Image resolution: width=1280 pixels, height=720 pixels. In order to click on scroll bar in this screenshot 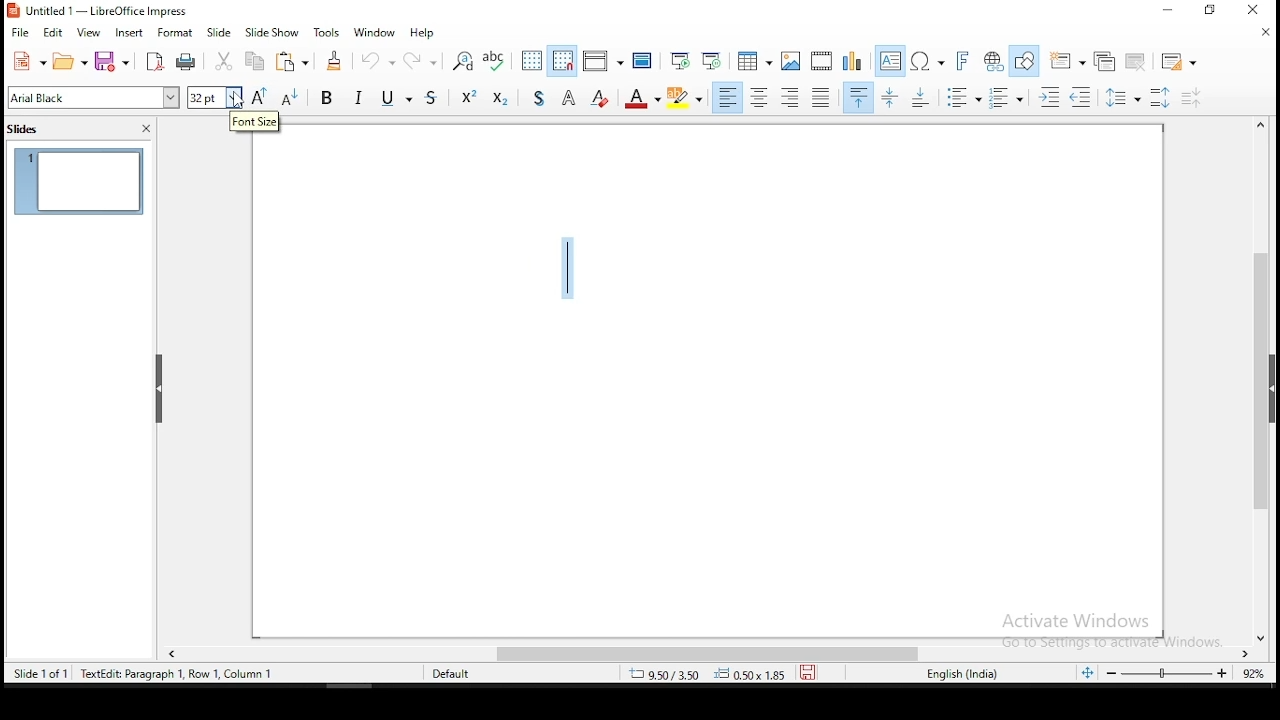, I will do `click(1263, 380)`.